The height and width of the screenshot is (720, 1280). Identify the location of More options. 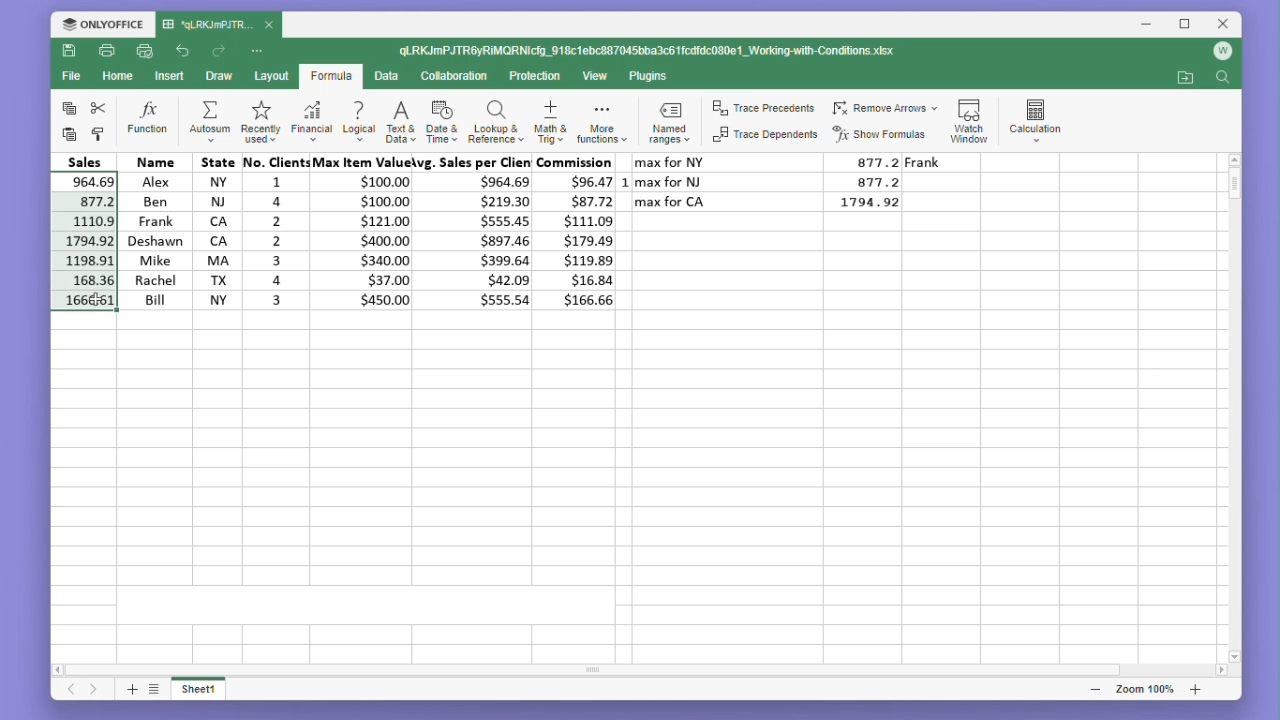
(259, 51).